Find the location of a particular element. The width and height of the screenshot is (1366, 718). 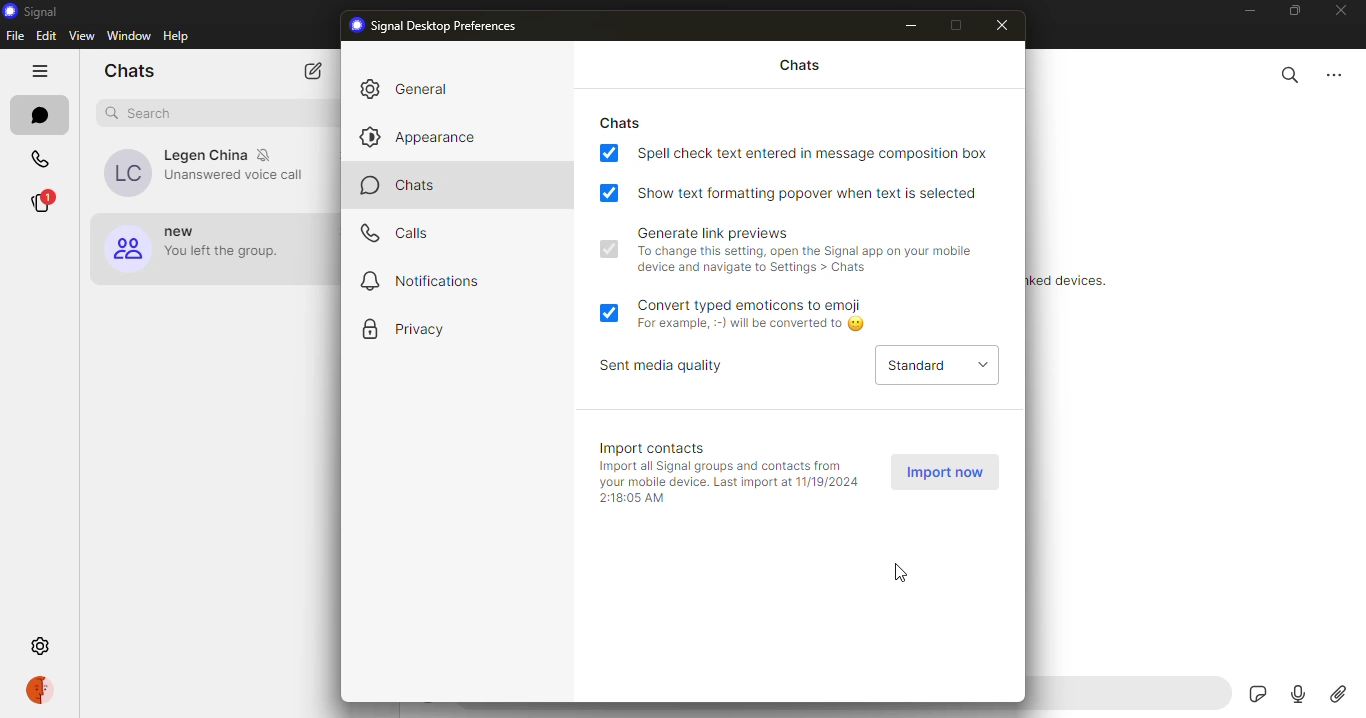

calls is located at coordinates (402, 231).